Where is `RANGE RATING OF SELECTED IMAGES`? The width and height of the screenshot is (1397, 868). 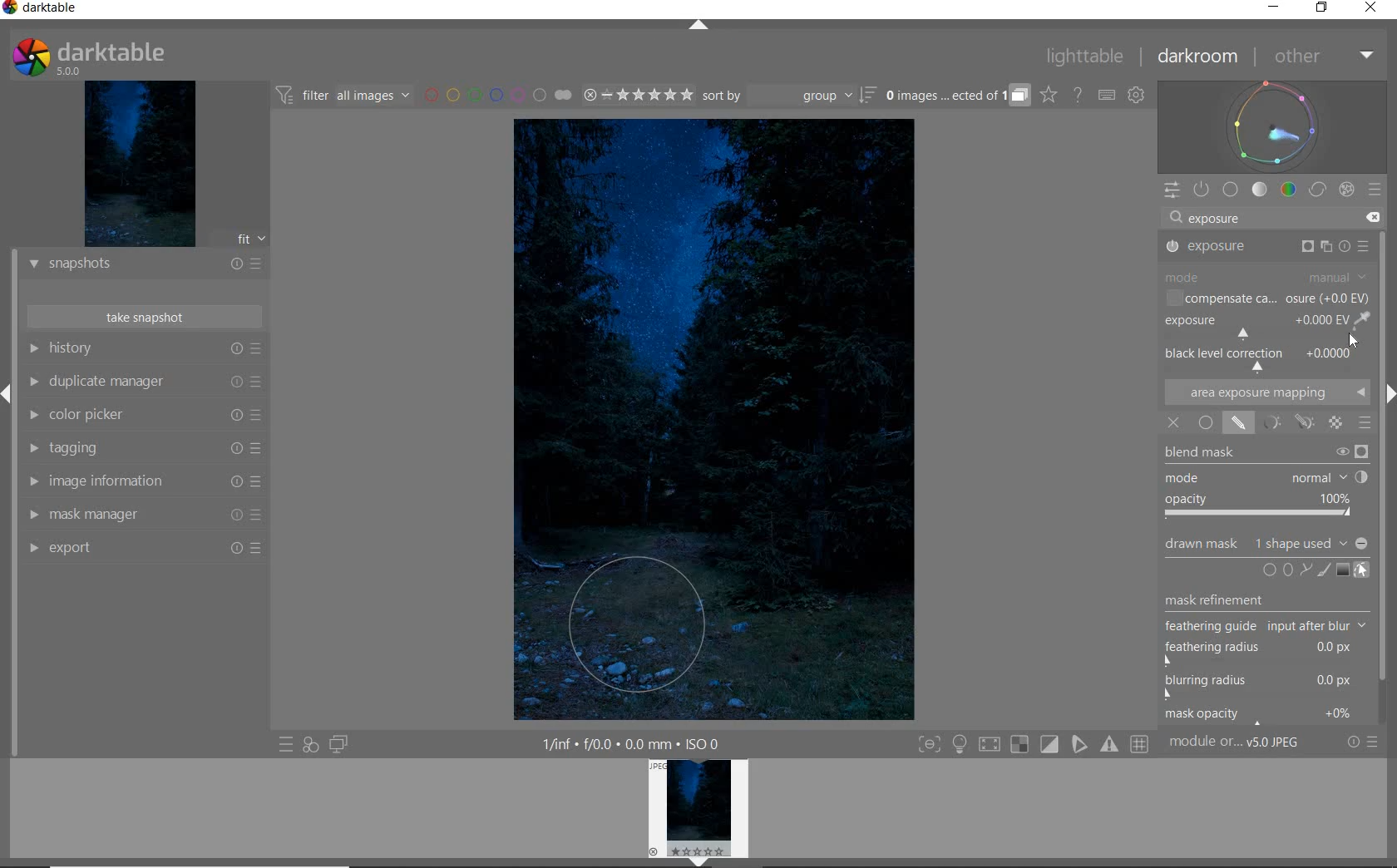
RANGE RATING OF SELECTED IMAGES is located at coordinates (638, 95).